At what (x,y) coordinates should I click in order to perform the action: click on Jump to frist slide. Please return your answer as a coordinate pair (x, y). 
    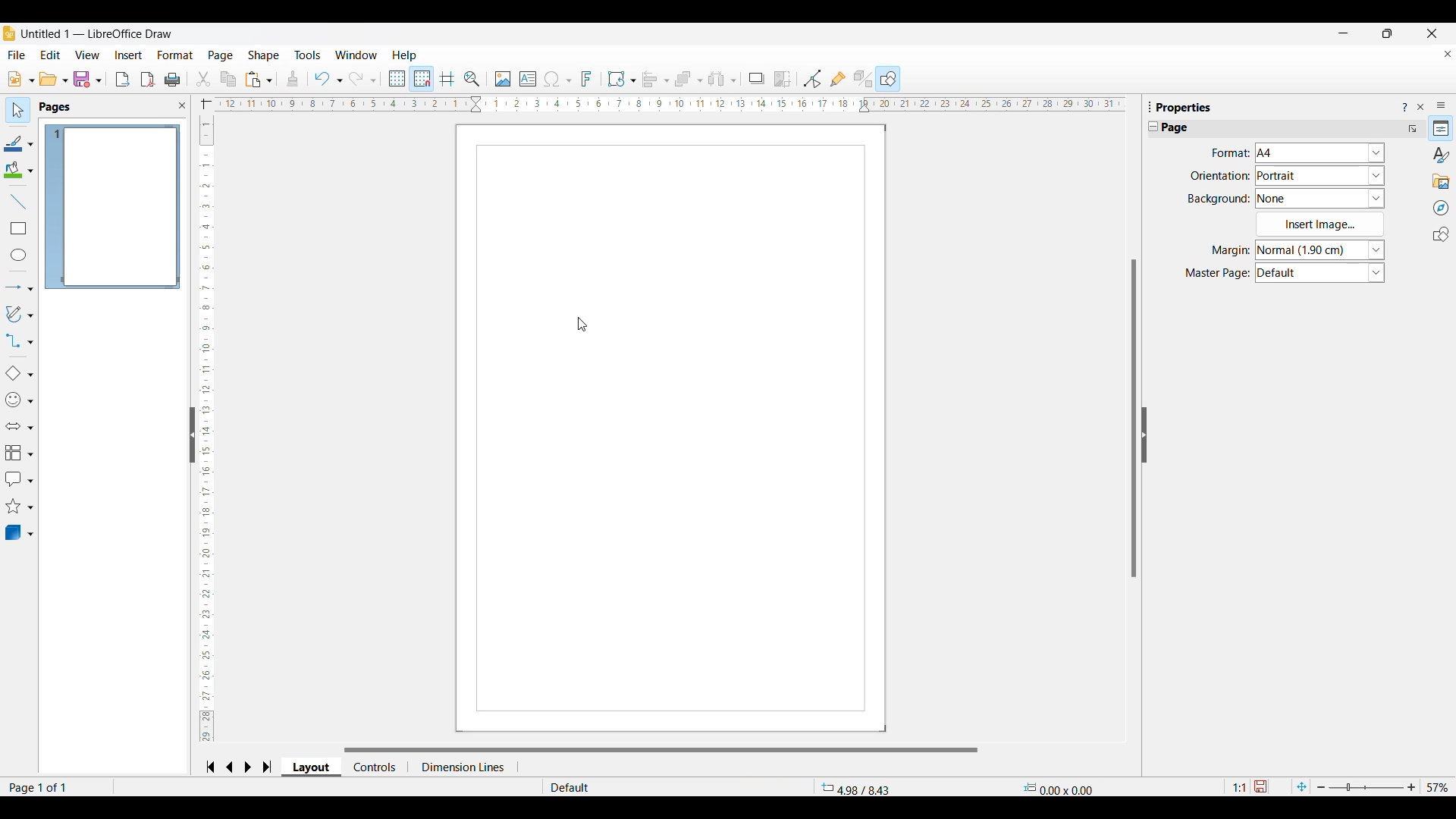
    Looking at the image, I should click on (210, 767).